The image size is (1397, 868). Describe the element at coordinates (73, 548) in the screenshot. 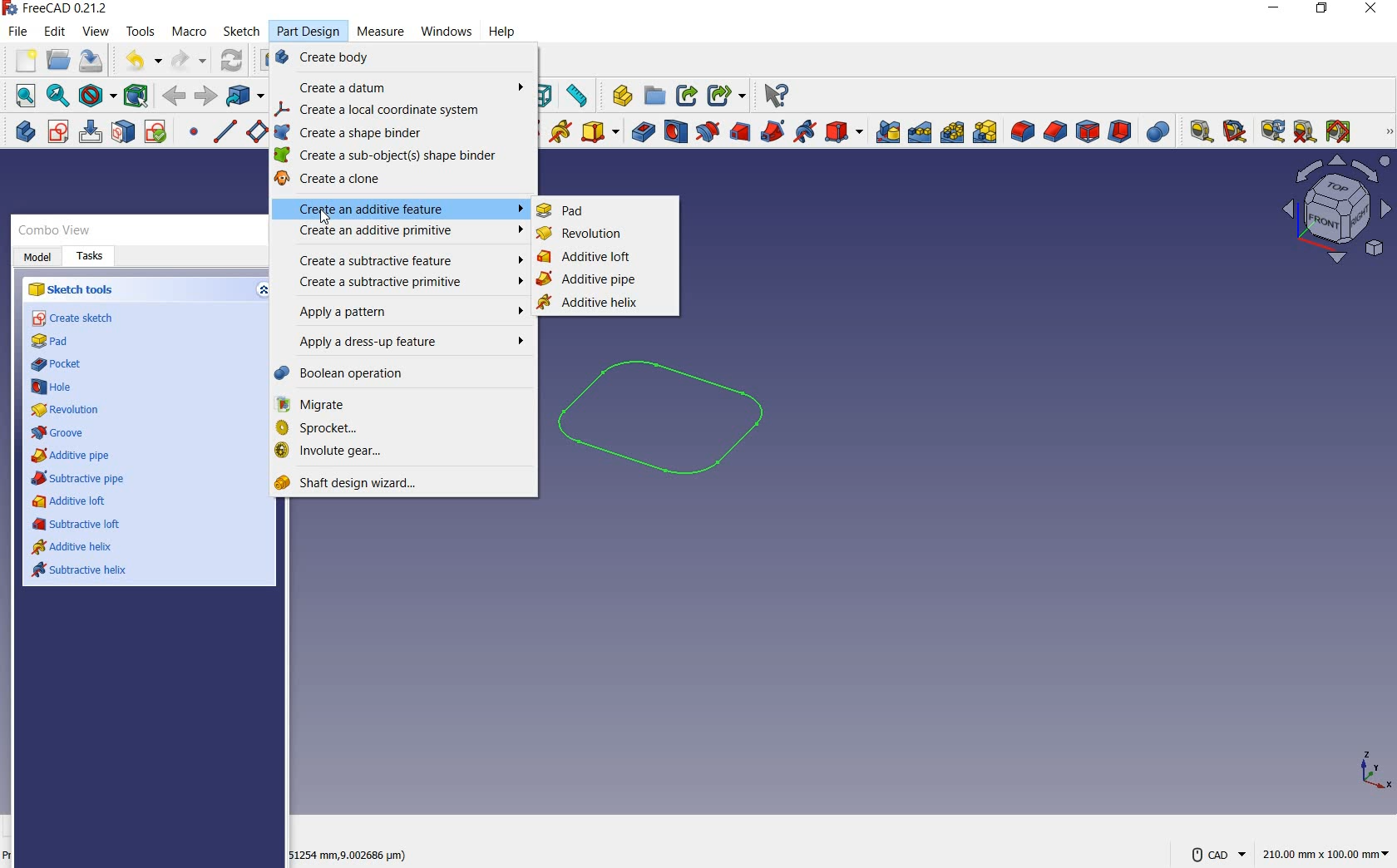

I see `additive helix` at that location.